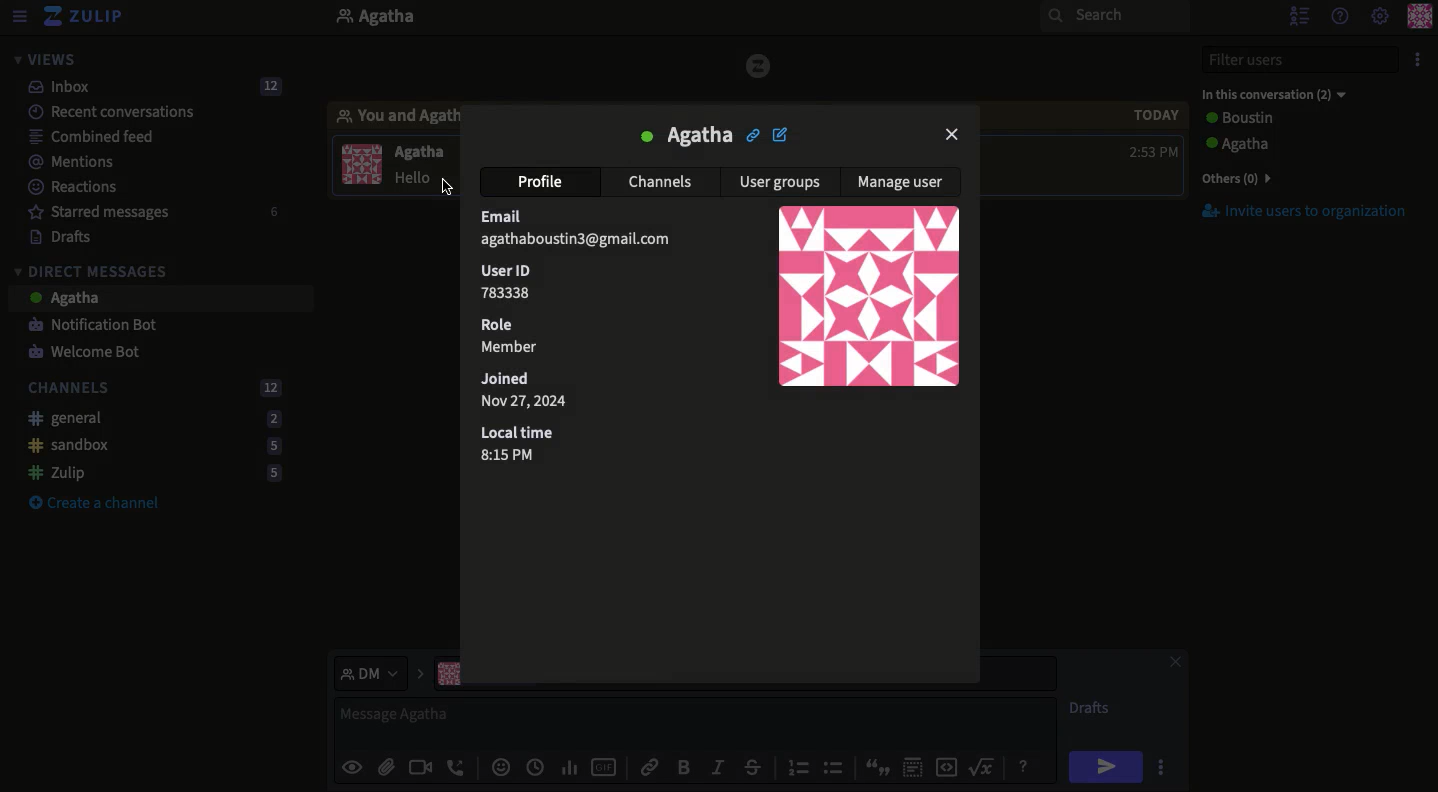 The width and height of the screenshot is (1438, 792). What do you see at coordinates (952, 136) in the screenshot?
I see `Close` at bounding box center [952, 136].